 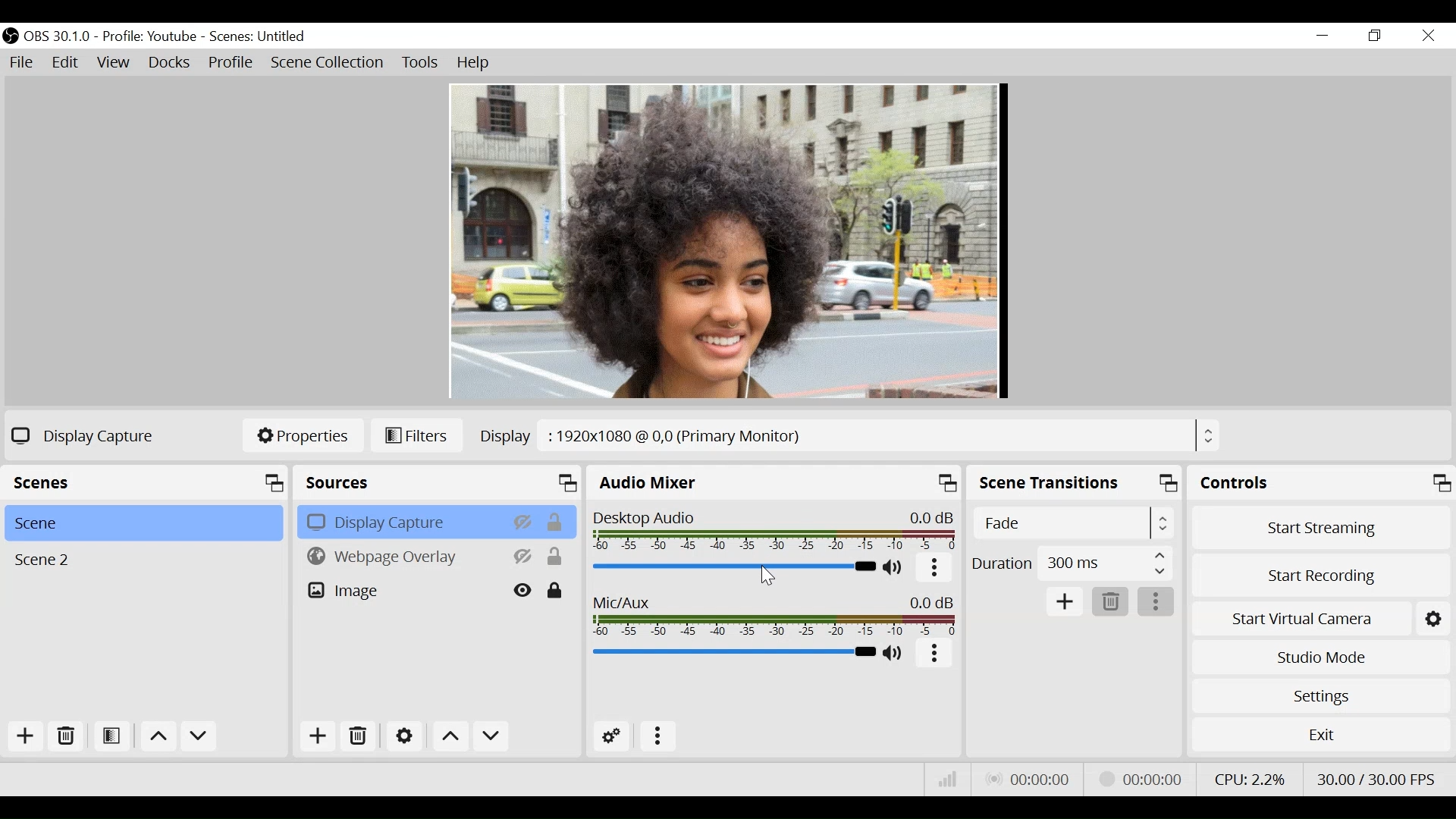 I want to click on Docks, so click(x=170, y=63).